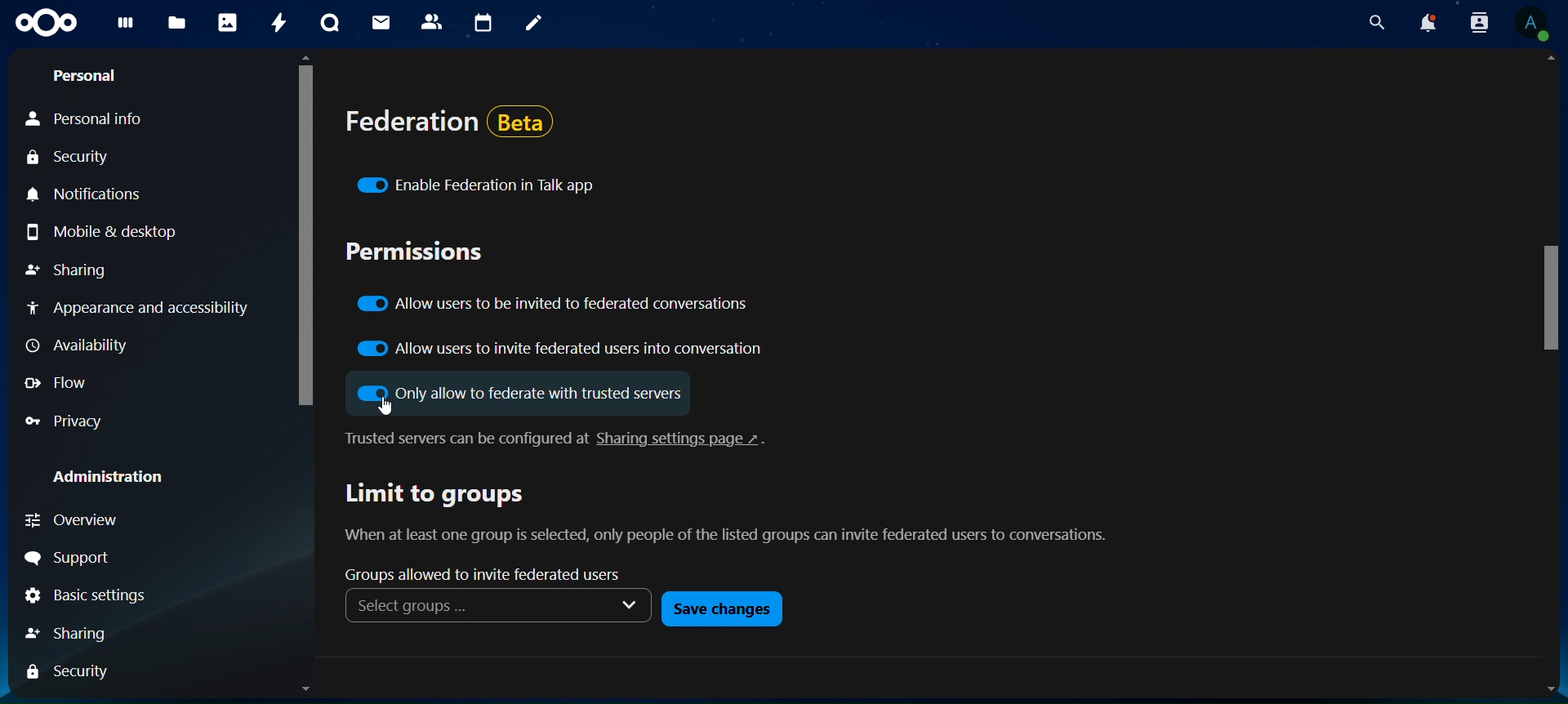 This screenshot has width=1568, height=704. Describe the element at coordinates (563, 439) in the screenshot. I see `text` at that location.